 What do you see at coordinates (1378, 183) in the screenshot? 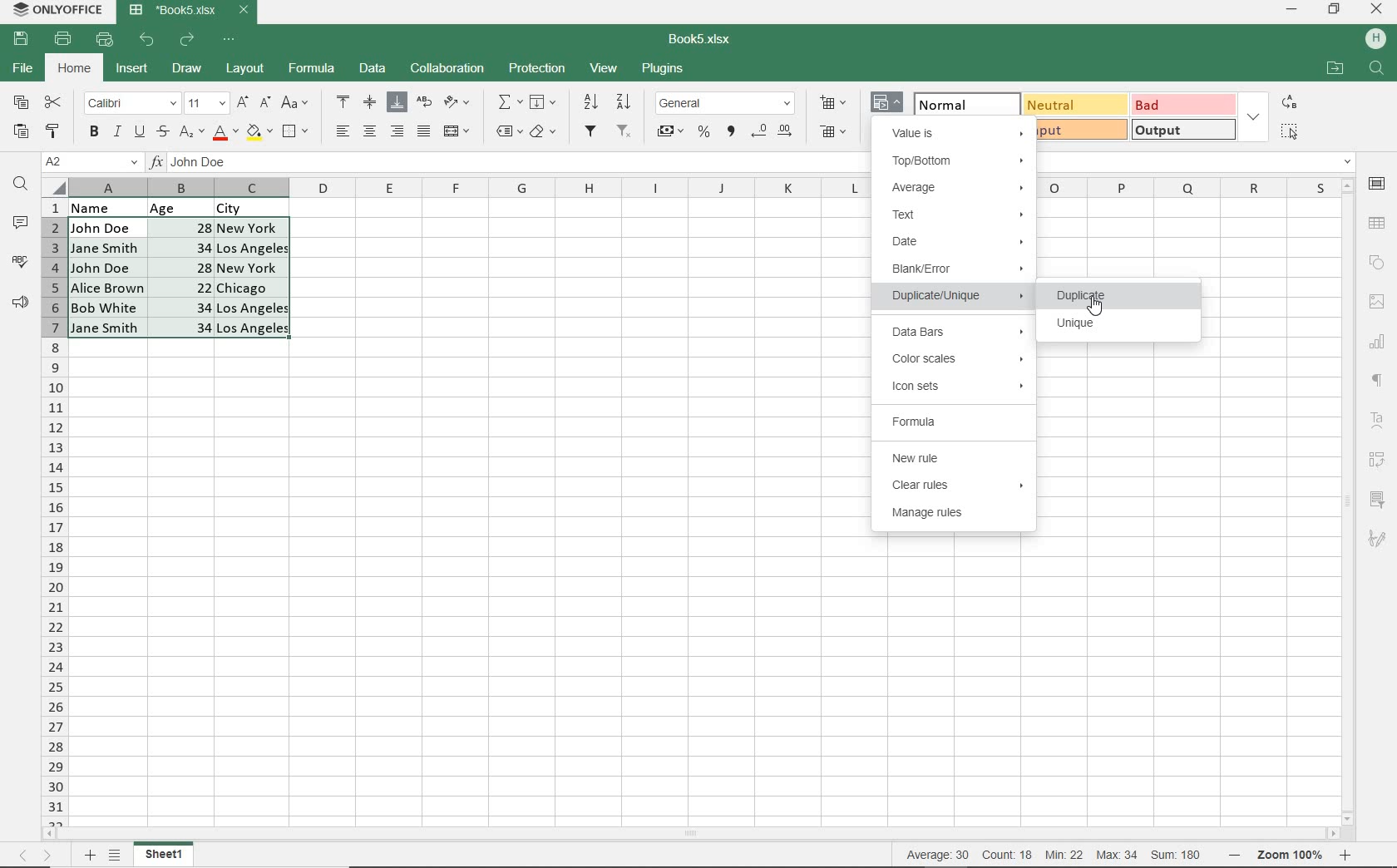
I see `CELL SETTINGS` at bounding box center [1378, 183].